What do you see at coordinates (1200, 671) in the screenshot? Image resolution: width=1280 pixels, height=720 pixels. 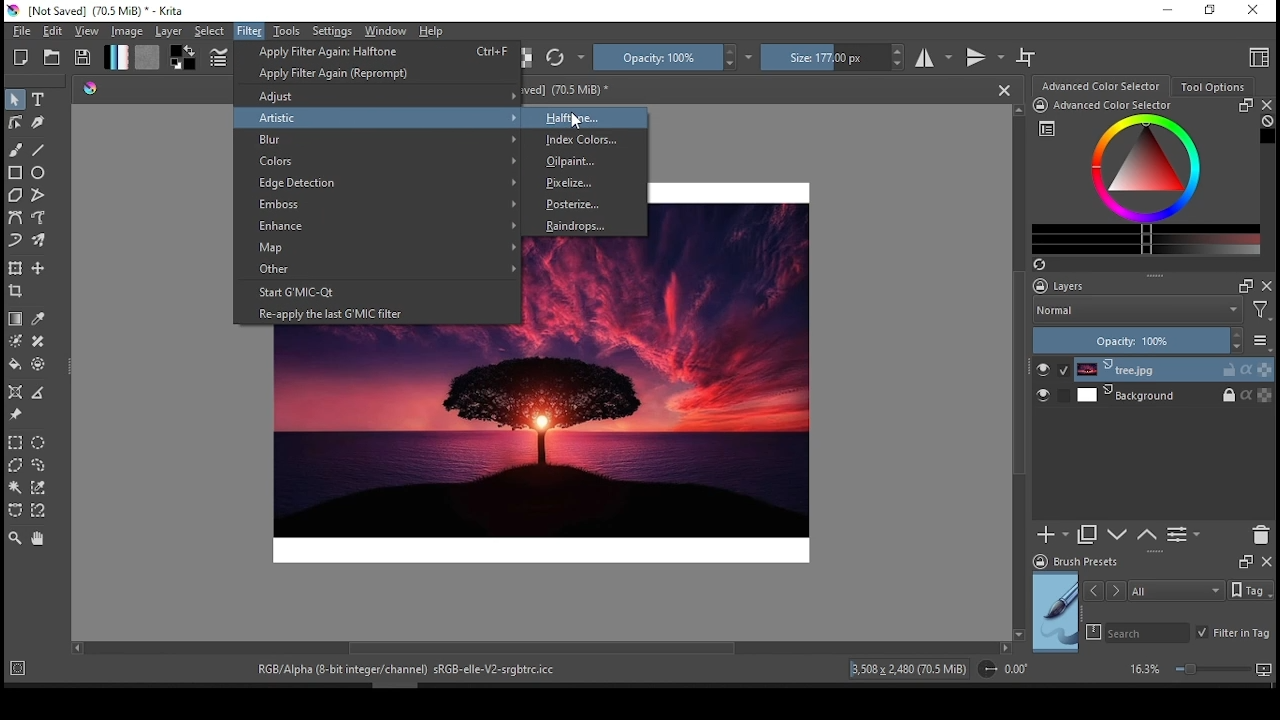 I see `zoom` at bounding box center [1200, 671].